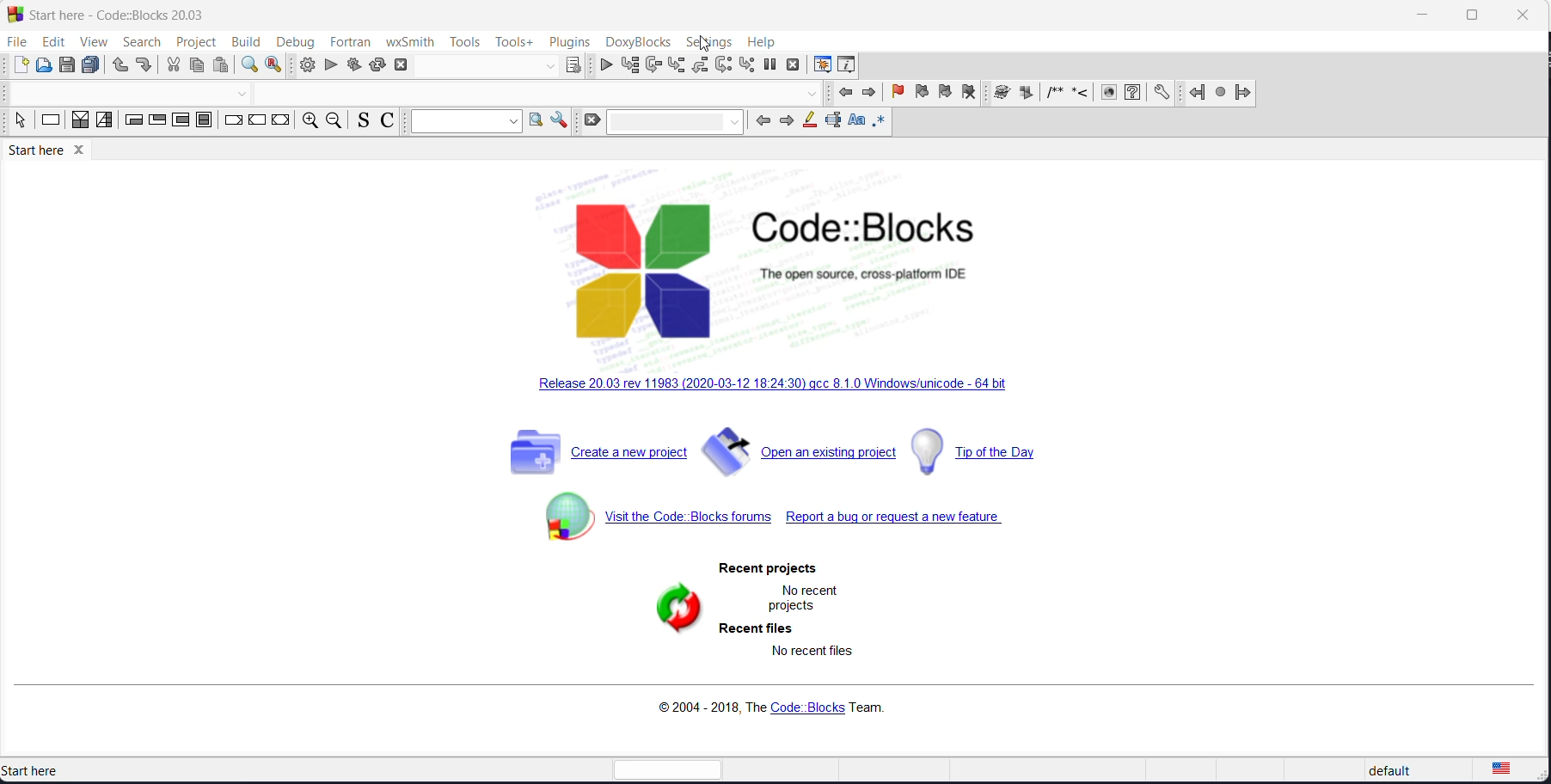 This screenshot has width=1551, height=784. Describe the element at coordinates (94, 65) in the screenshot. I see `save all` at that location.